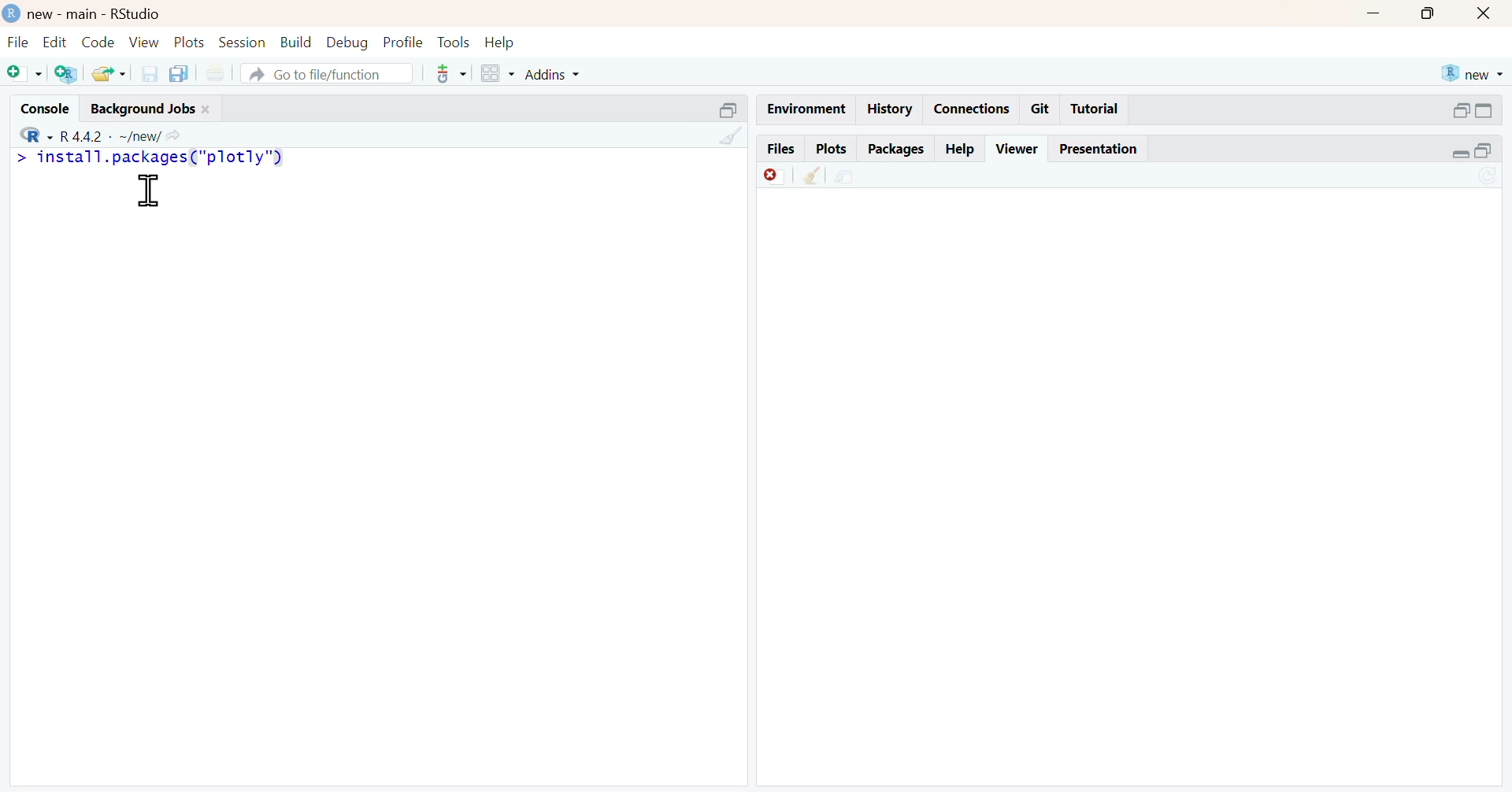  I want to click on code, so click(96, 43).